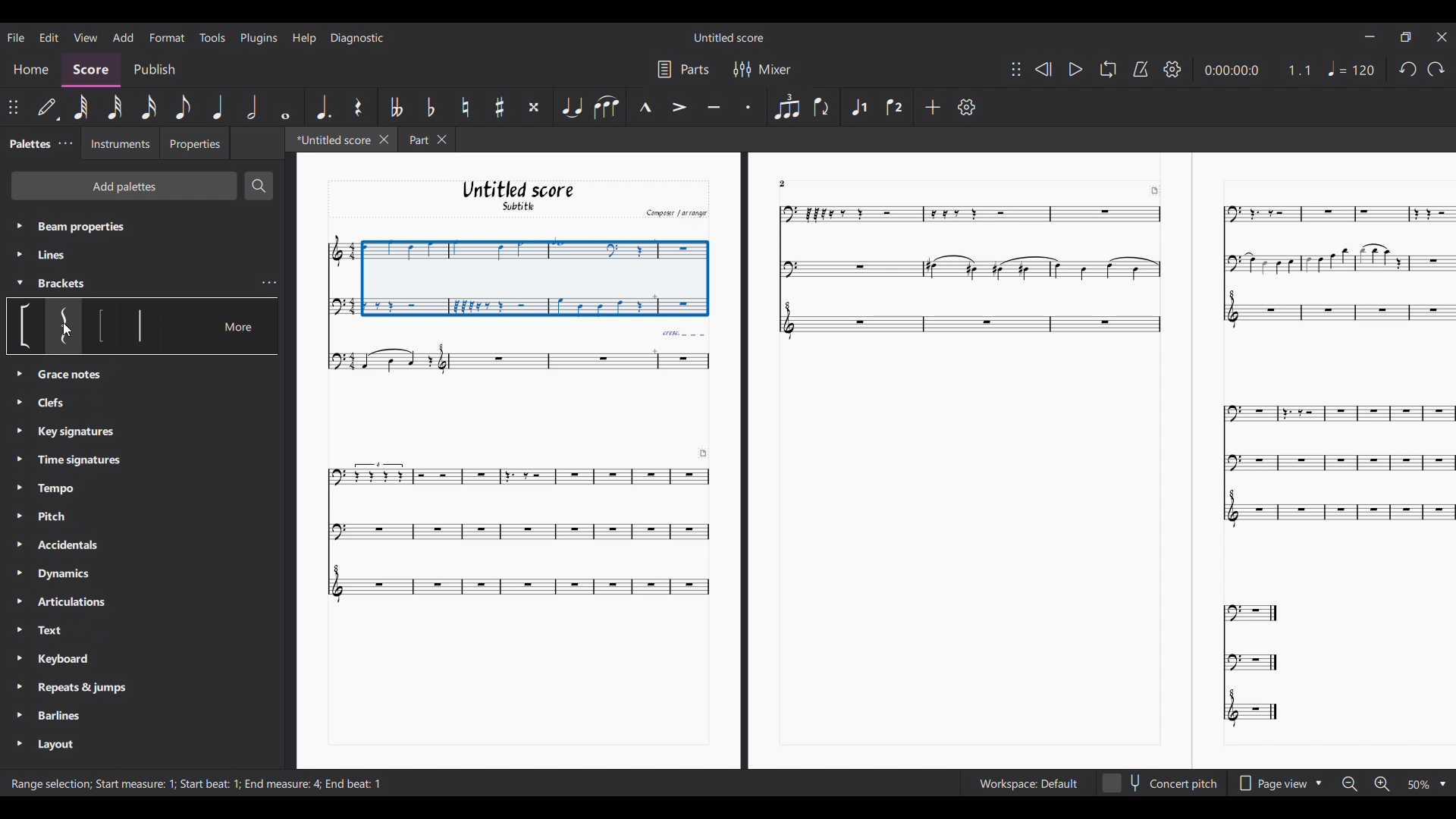 This screenshot has width=1456, height=819. What do you see at coordinates (211, 784) in the screenshot?
I see `Start beat : 1;` at bounding box center [211, 784].